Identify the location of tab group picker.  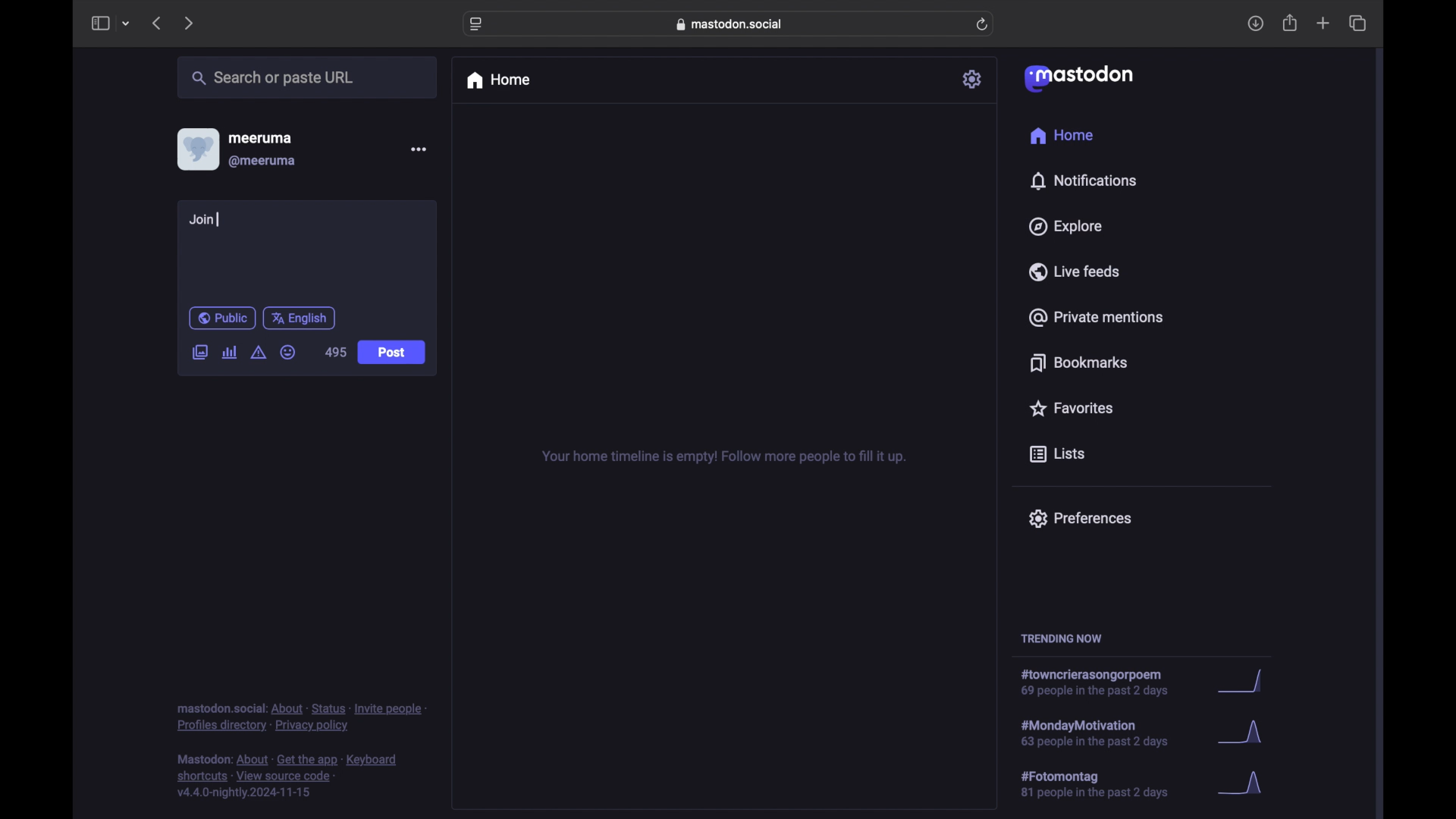
(126, 24).